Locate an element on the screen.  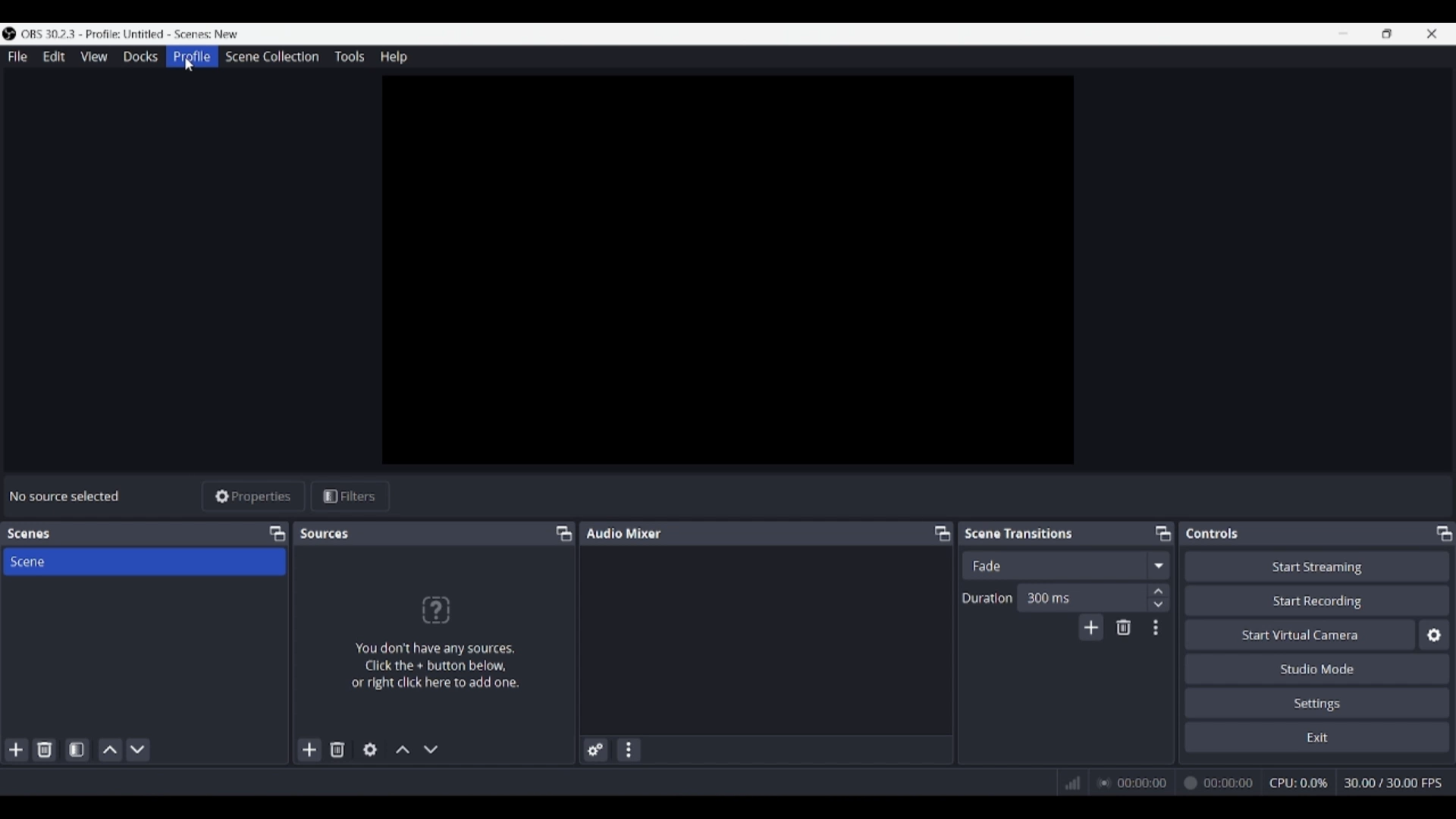
Move scene up is located at coordinates (111, 750).